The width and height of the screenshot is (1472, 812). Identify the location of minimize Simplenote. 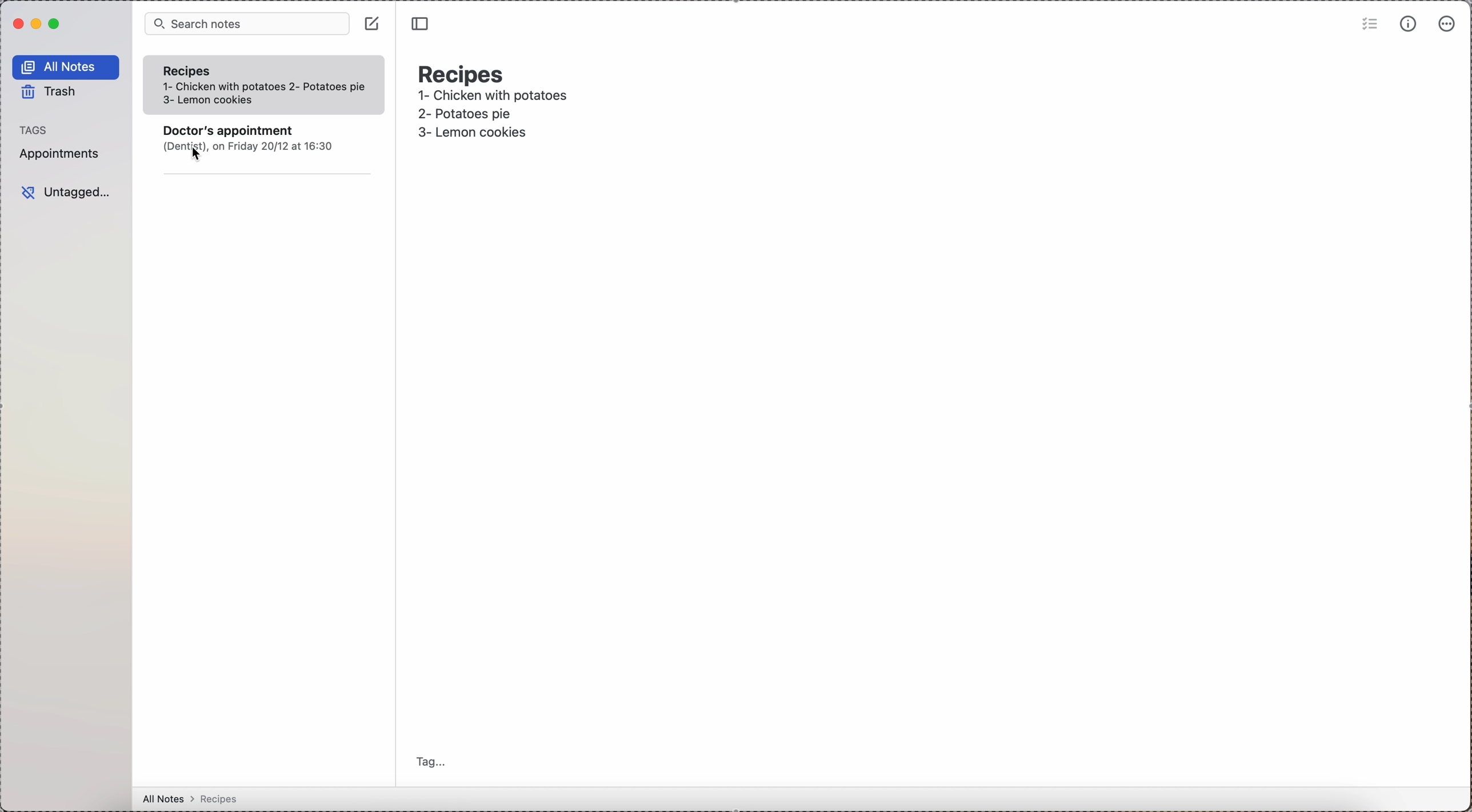
(36, 25).